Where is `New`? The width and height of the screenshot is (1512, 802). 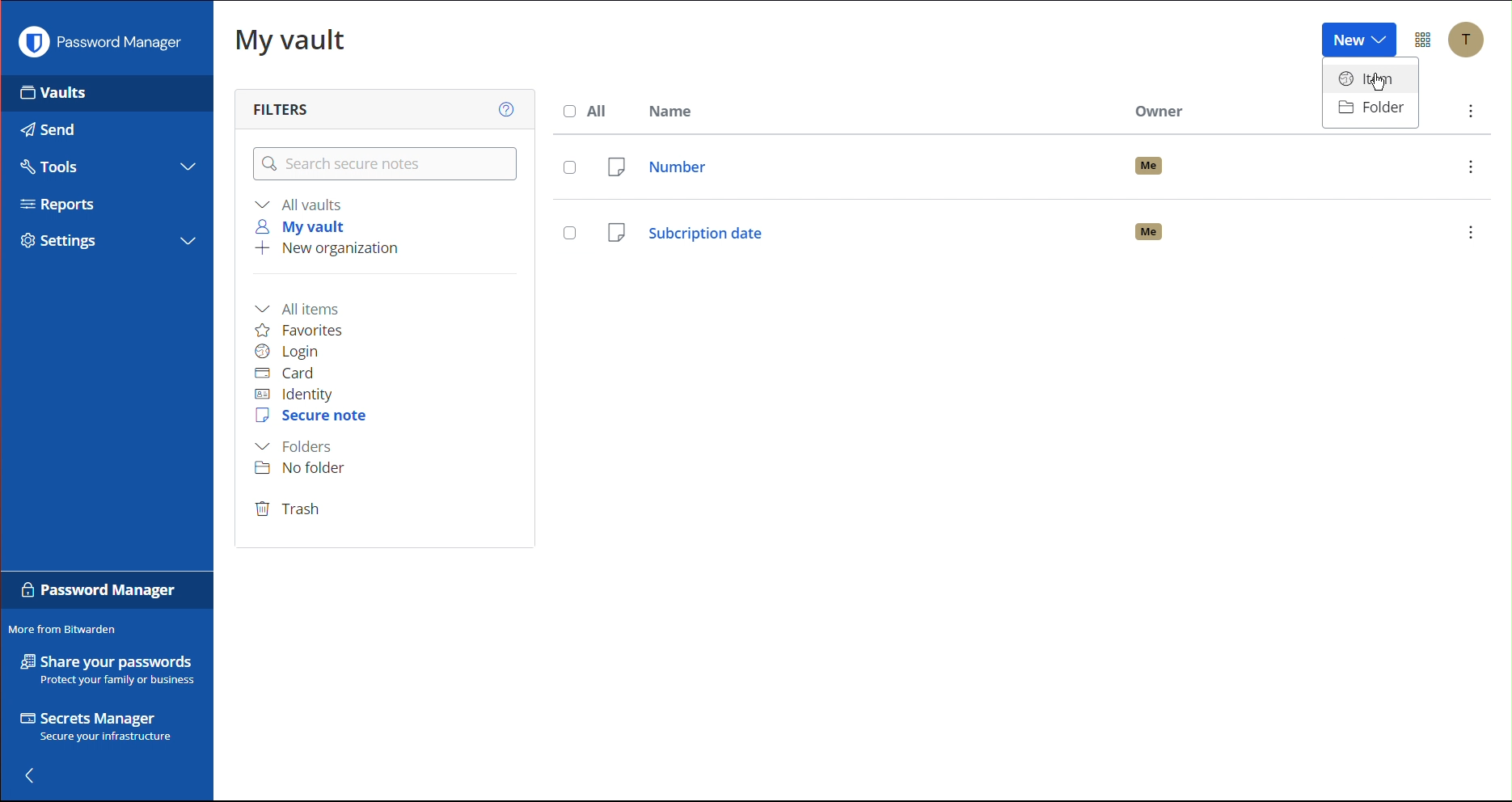
New is located at coordinates (1358, 37).